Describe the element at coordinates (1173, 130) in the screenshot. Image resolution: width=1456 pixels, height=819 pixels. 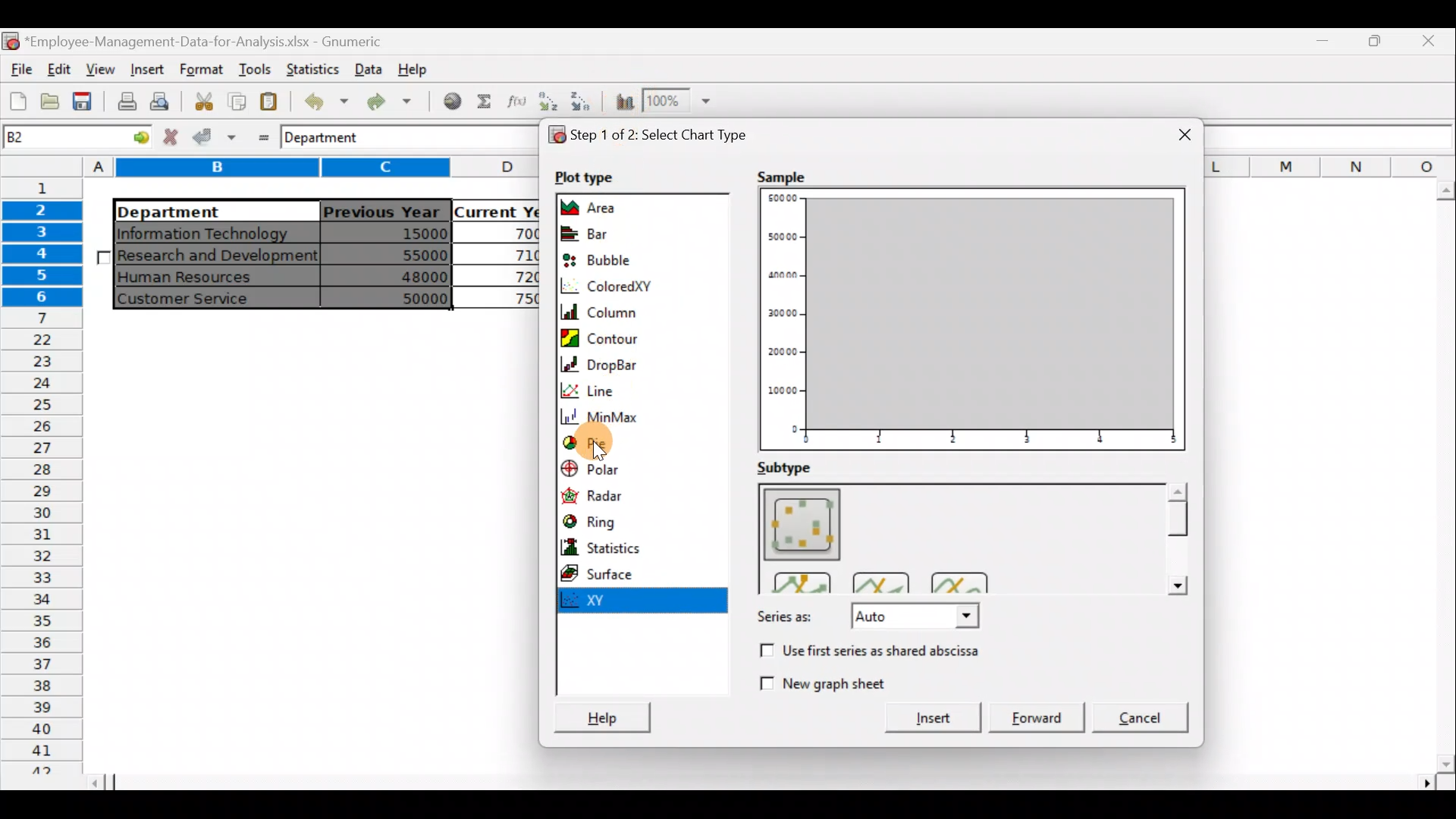
I see `Close` at that location.